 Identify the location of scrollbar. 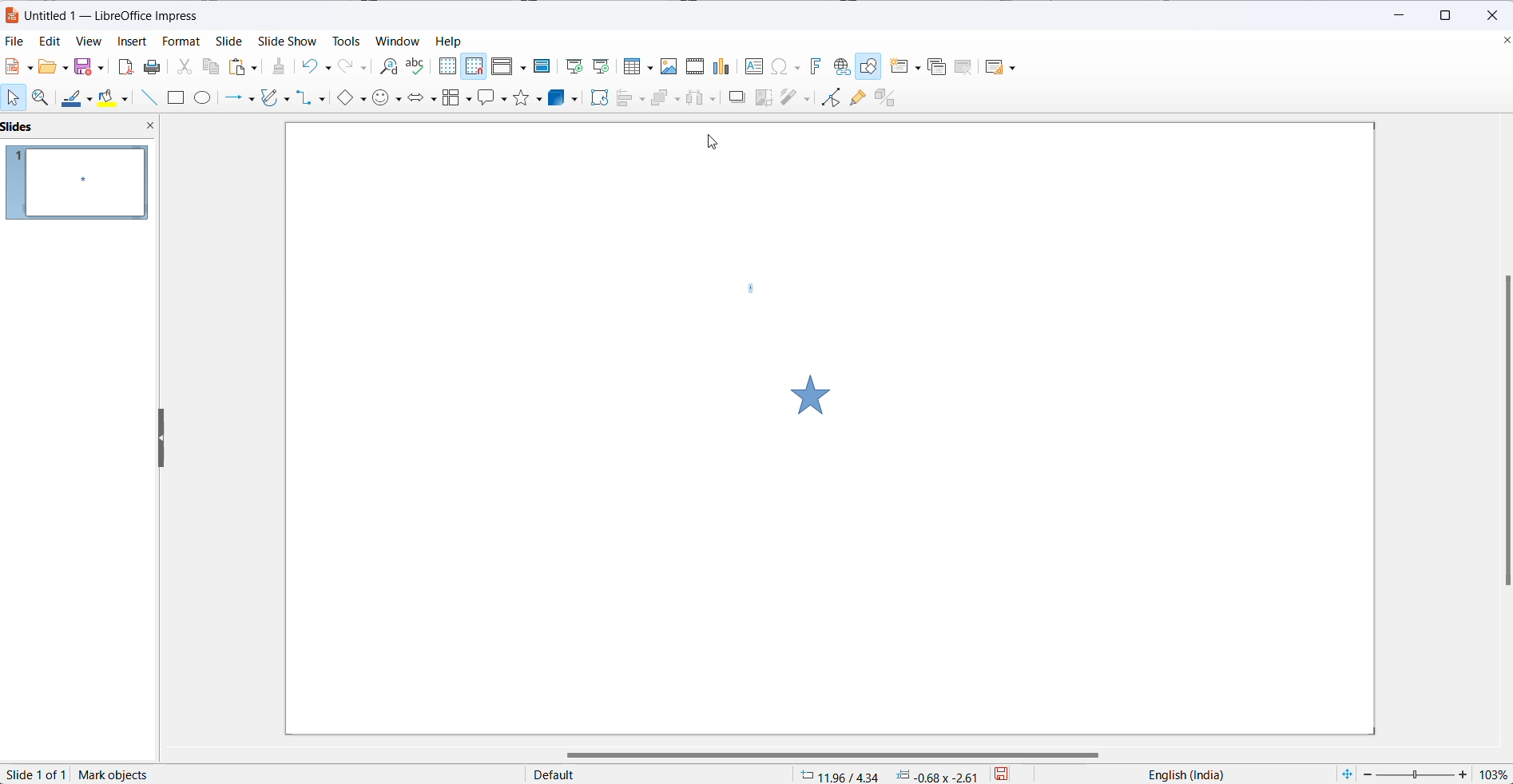
(1498, 434).